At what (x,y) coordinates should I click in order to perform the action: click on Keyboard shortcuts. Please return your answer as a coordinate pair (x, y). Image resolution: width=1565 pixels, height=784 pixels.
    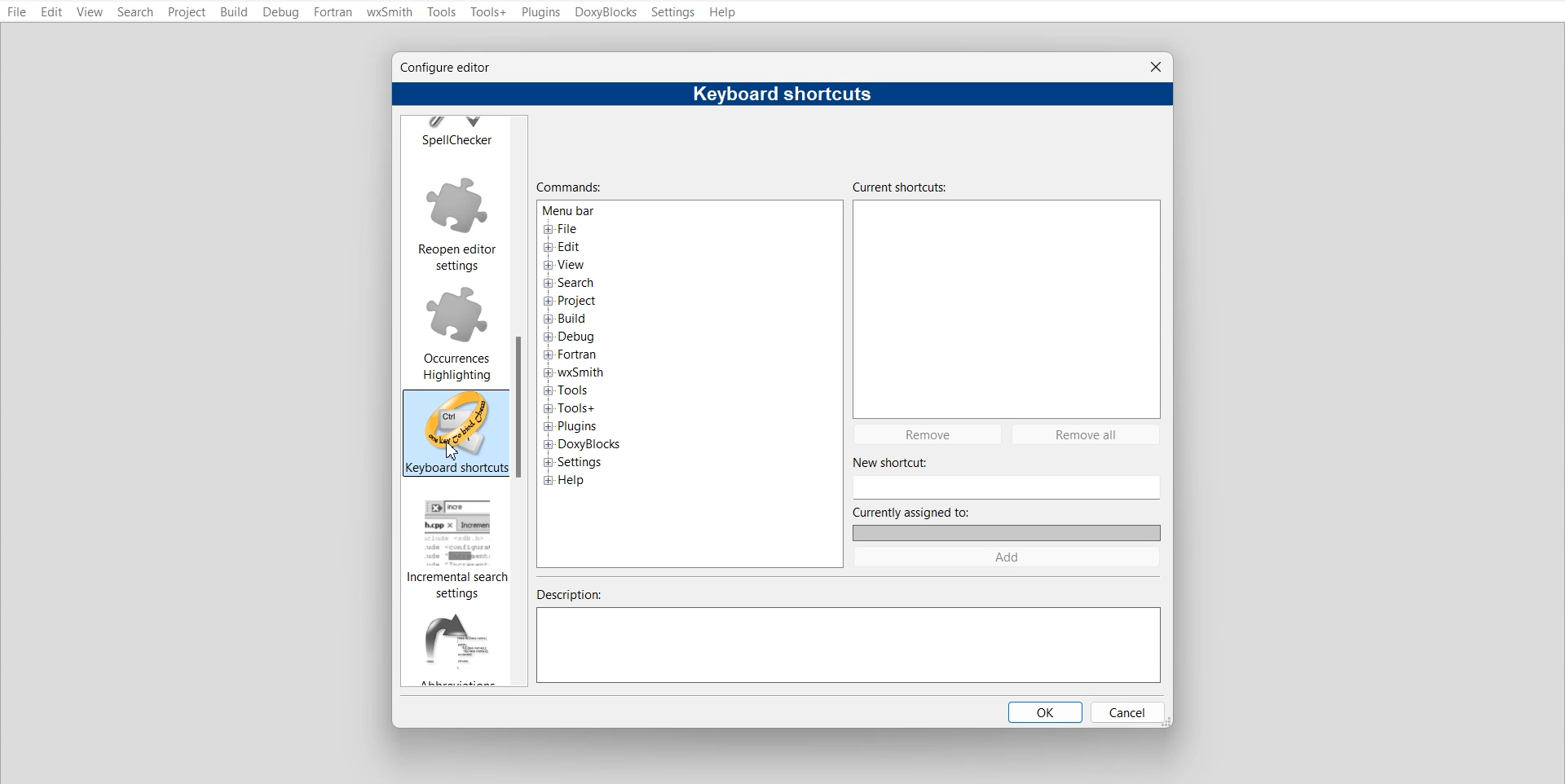
    Looking at the image, I should click on (457, 433).